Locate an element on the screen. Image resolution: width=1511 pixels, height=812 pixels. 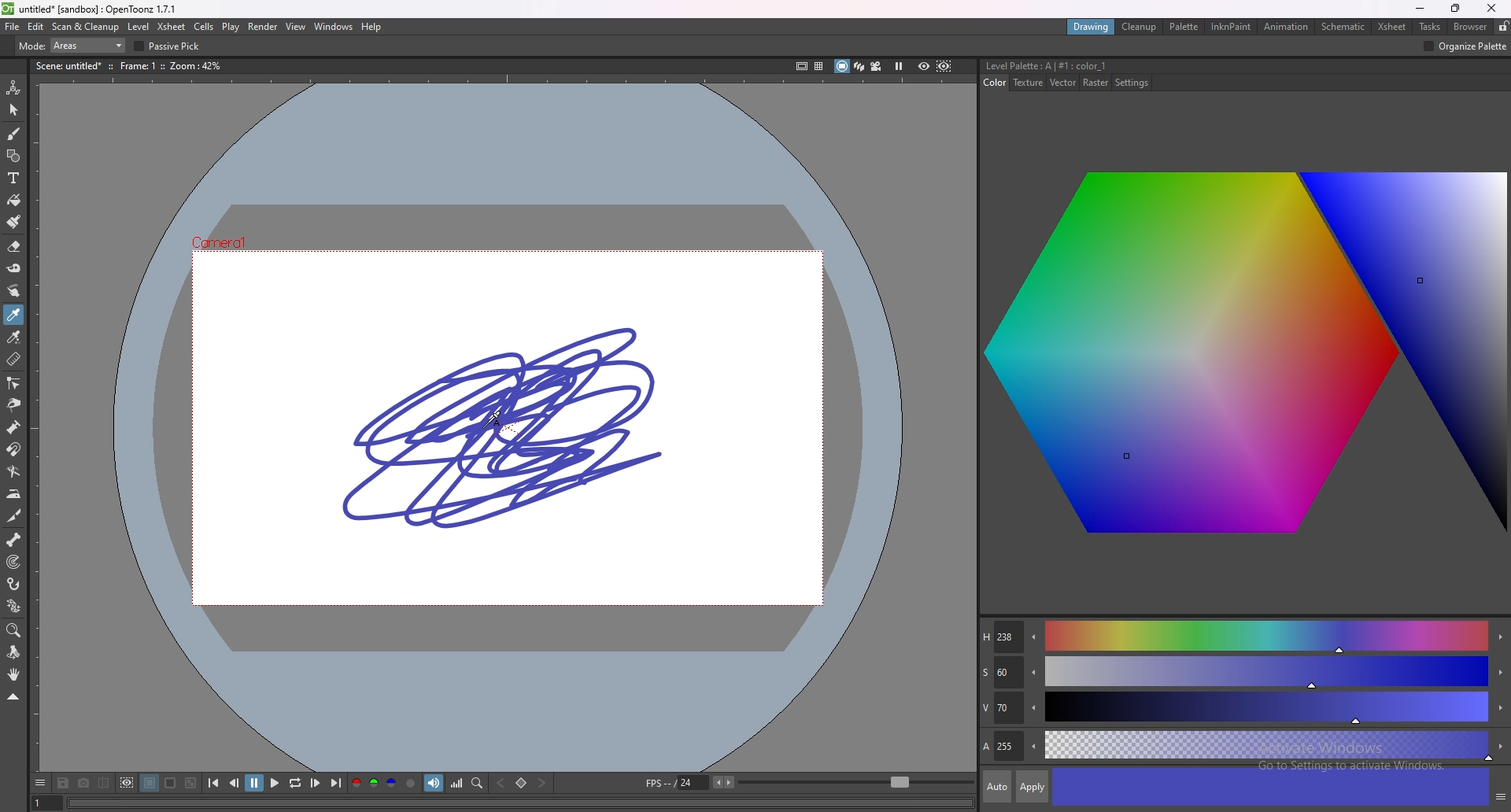
plastic tool is located at coordinates (14, 605).